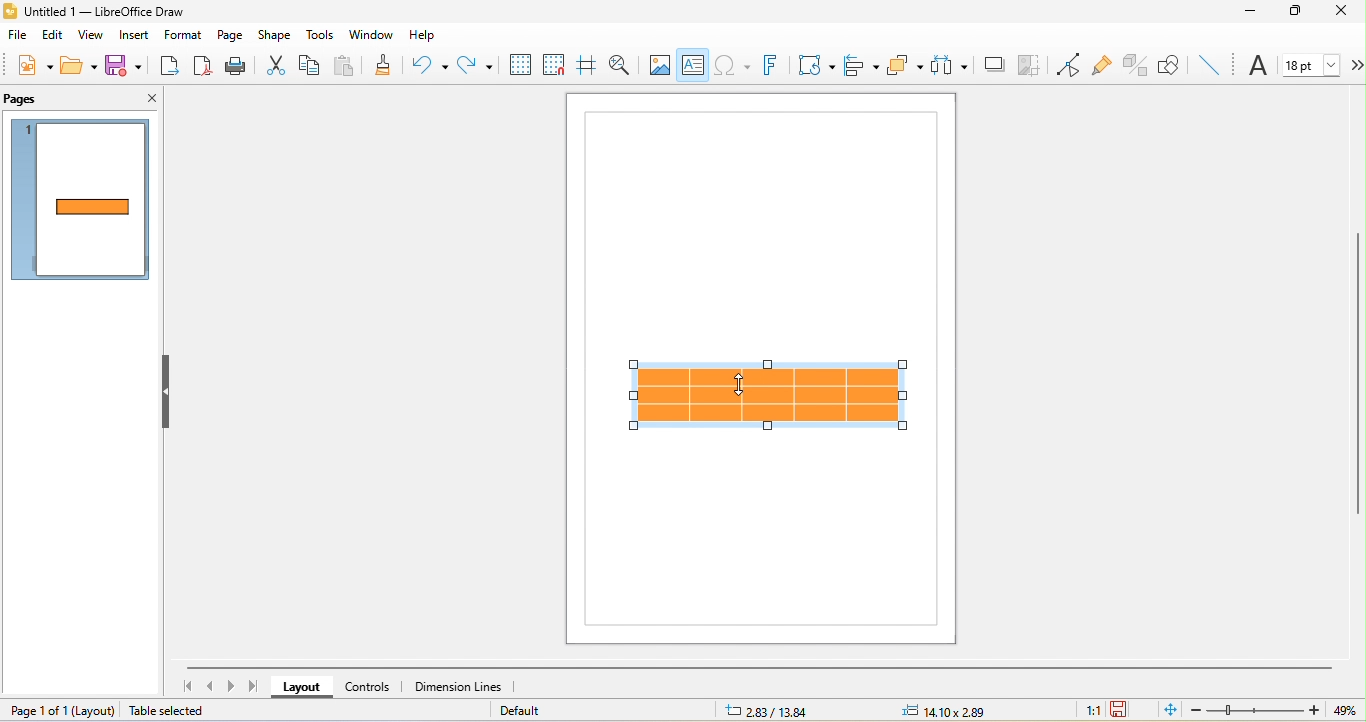 The image size is (1366, 722). What do you see at coordinates (767, 395) in the screenshot?
I see `select table` at bounding box center [767, 395].